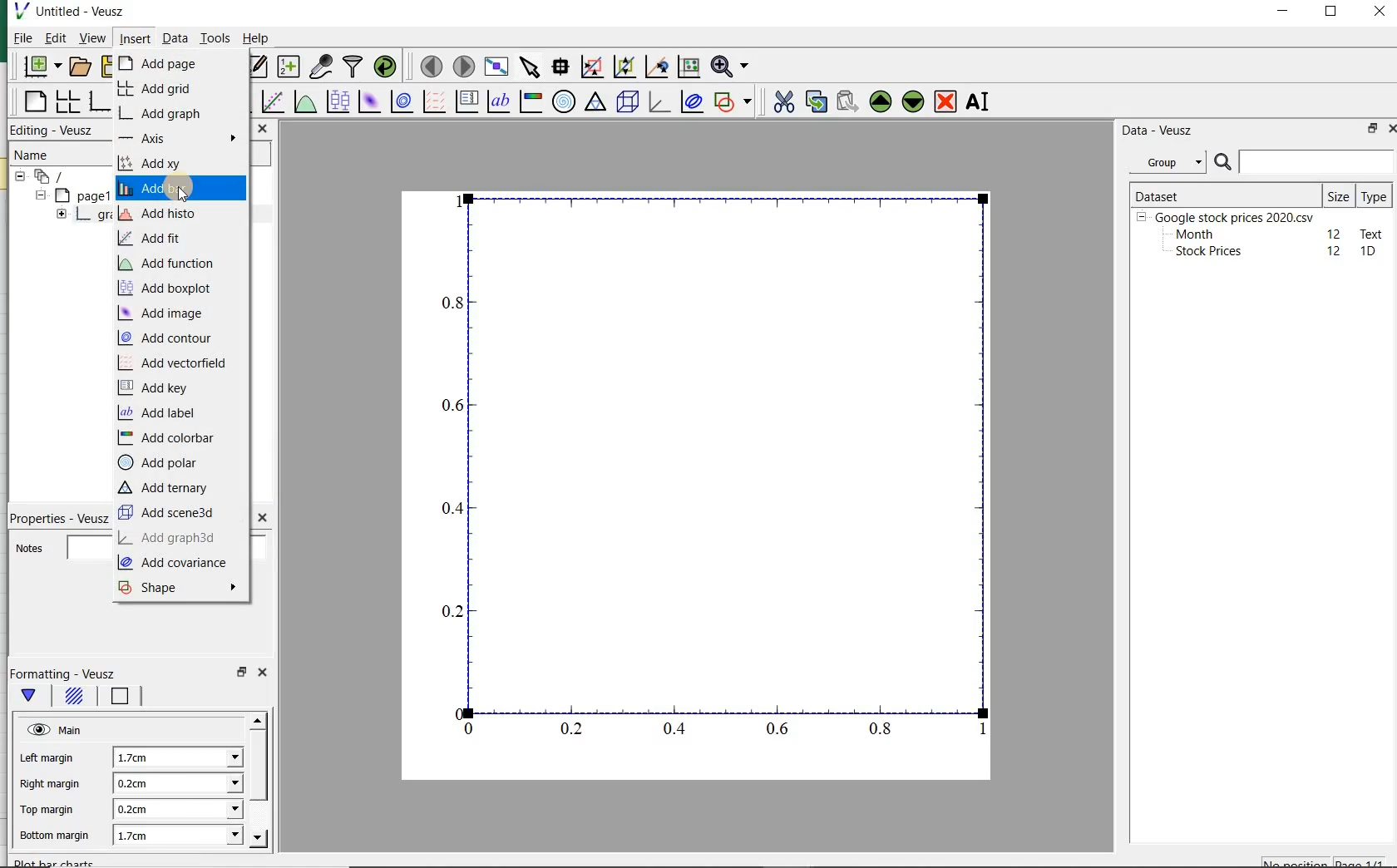 Image resolution: width=1397 pixels, height=868 pixels. Describe the element at coordinates (76, 216) in the screenshot. I see `graph1` at that location.